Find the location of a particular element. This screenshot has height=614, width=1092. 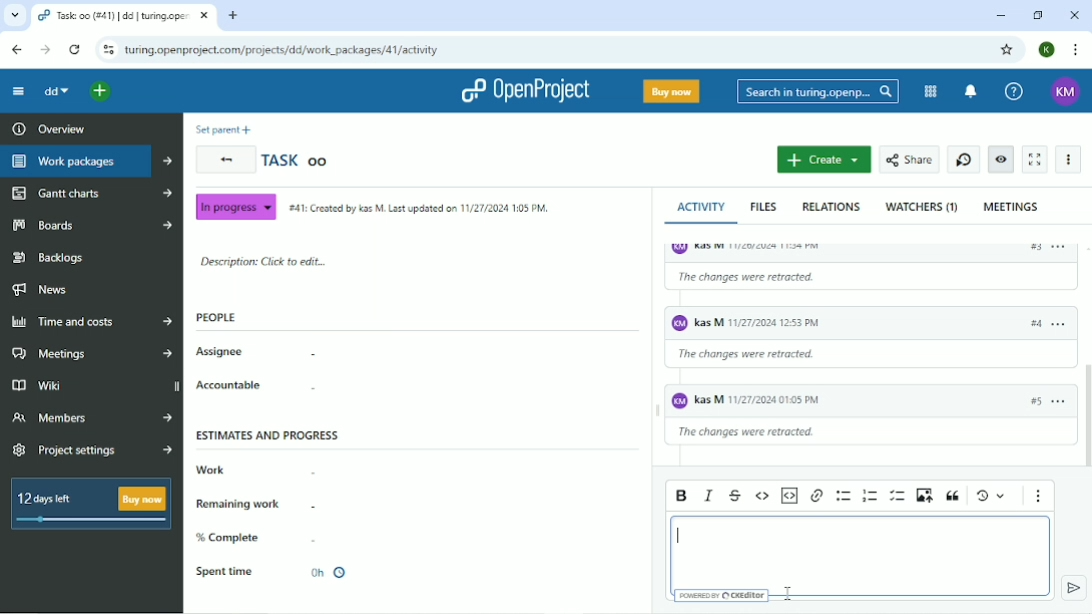

submit comment is located at coordinates (1075, 589).